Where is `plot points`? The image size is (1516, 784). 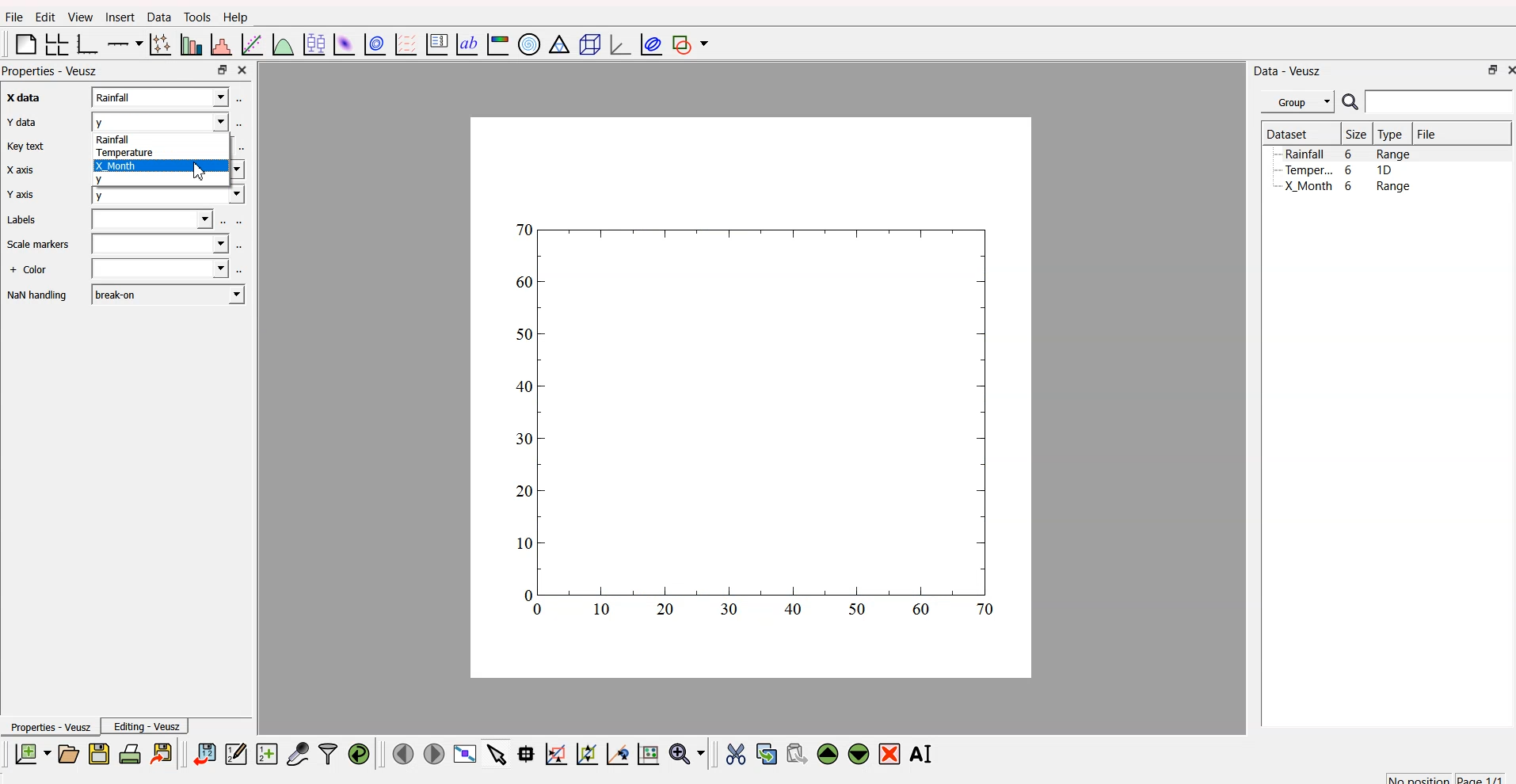
plot points is located at coordinates (158, 44).